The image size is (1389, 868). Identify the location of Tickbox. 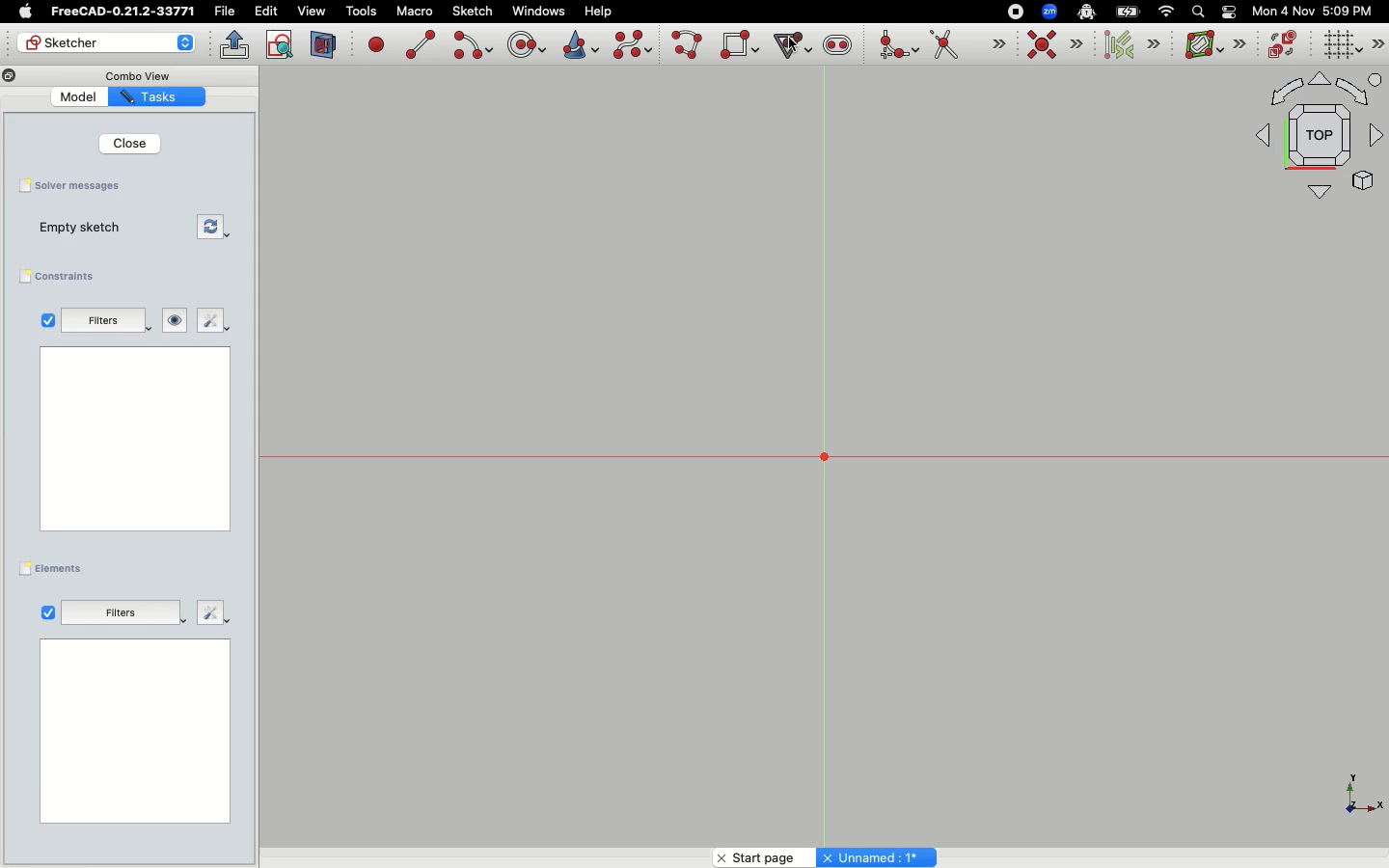
(50, 613).